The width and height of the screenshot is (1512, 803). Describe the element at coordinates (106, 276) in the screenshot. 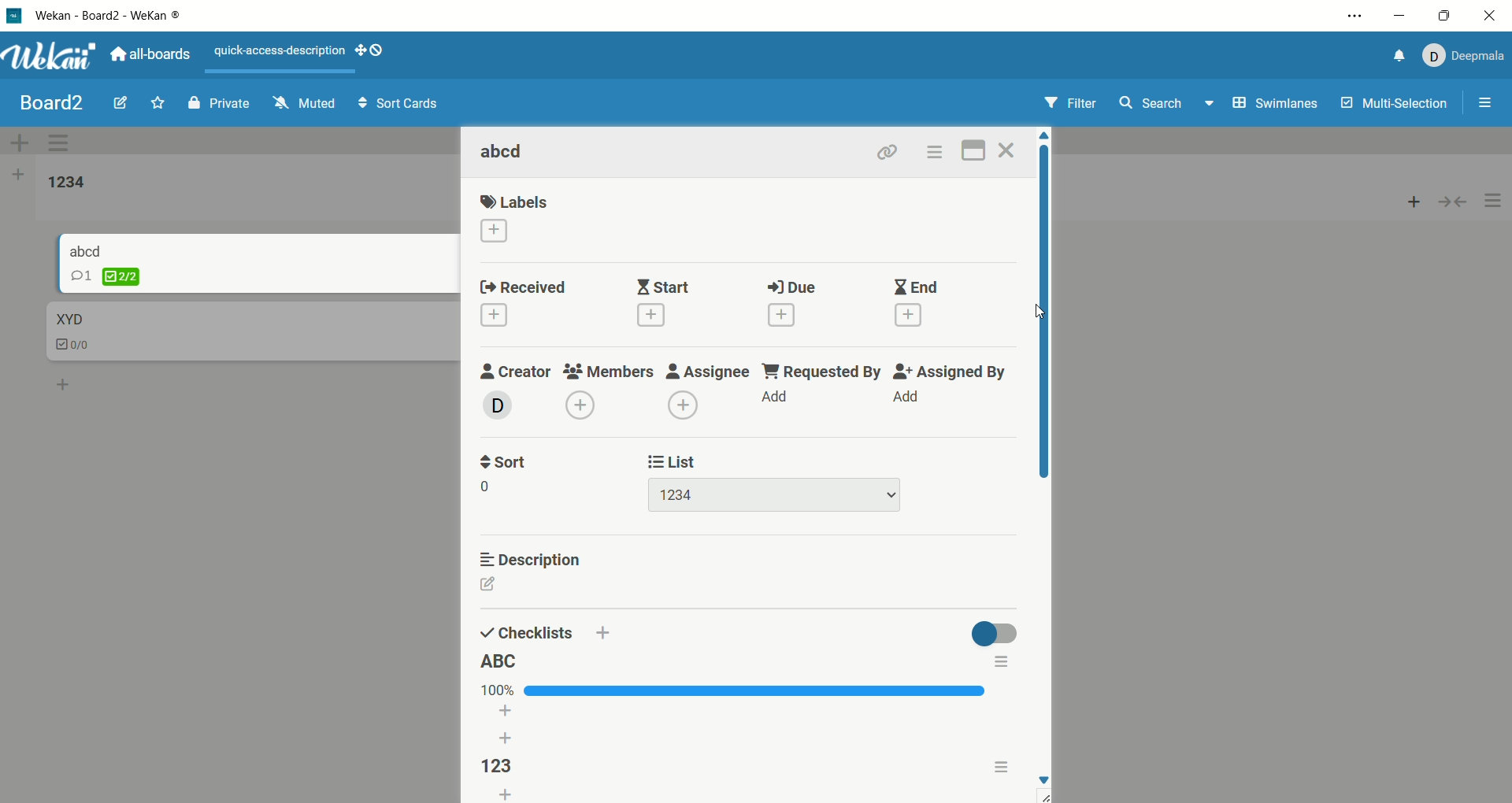

I see `checklist` at that location.